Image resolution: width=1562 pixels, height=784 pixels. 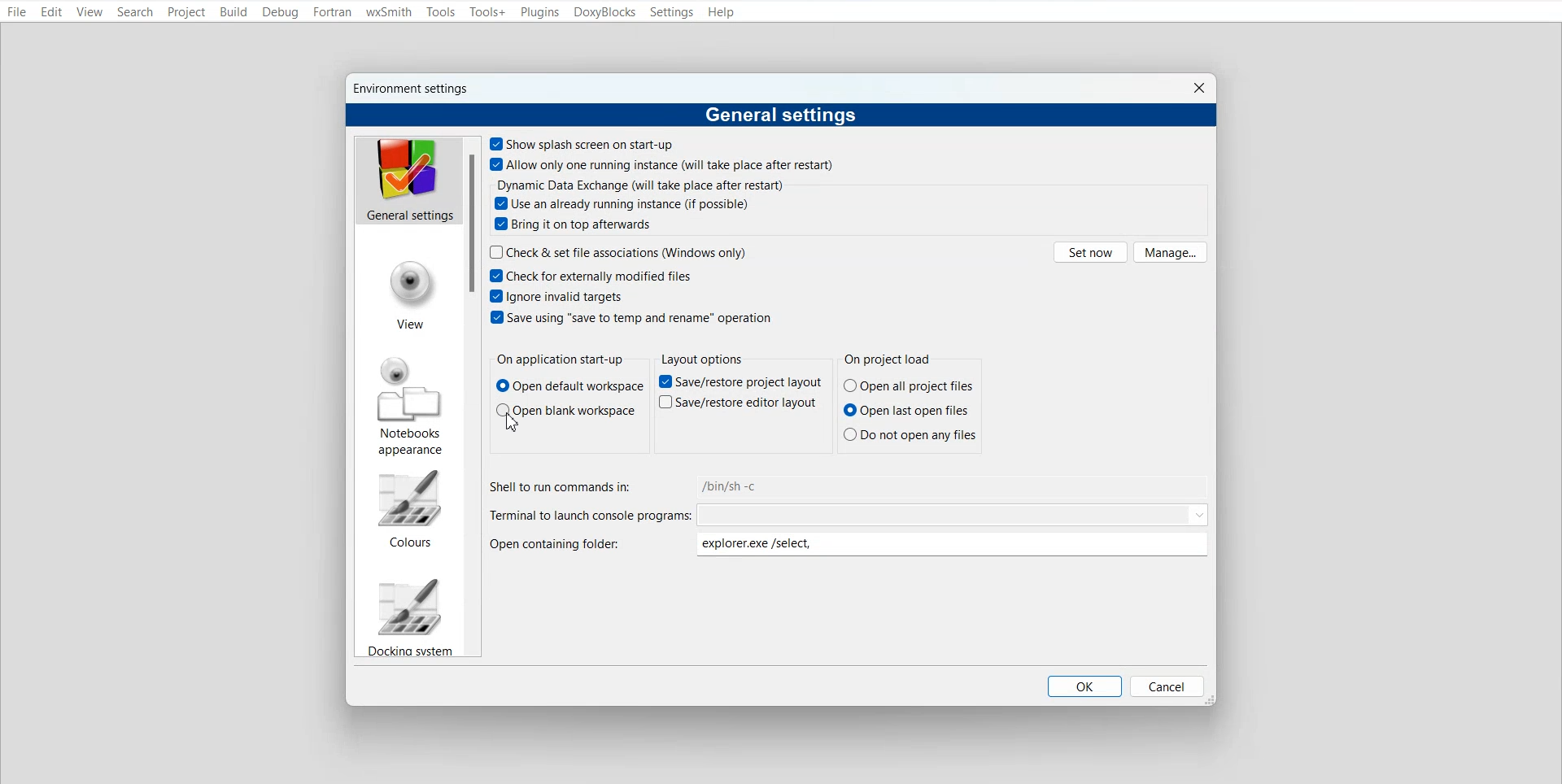 I want to click on Text, so click(x=892, y=360).